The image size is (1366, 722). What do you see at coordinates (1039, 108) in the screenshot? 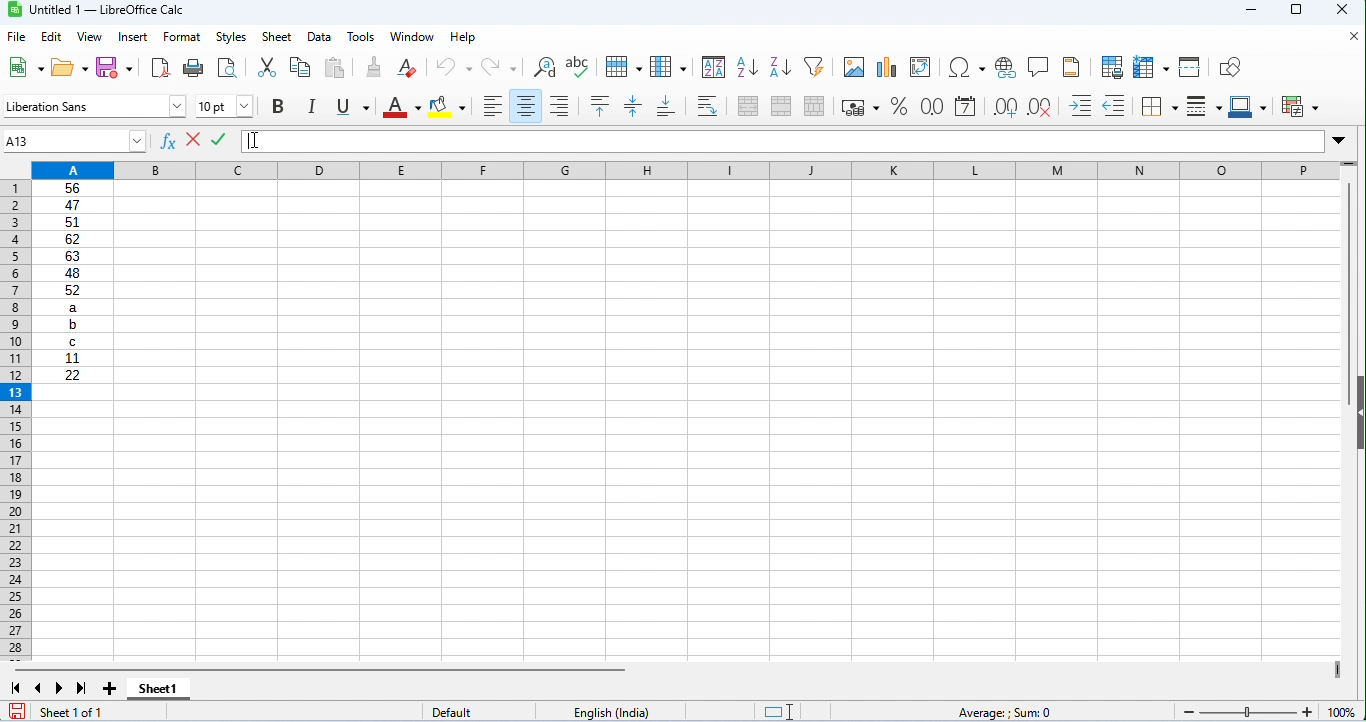
I see `delete decimal place` at bounding box center [1039, 108].